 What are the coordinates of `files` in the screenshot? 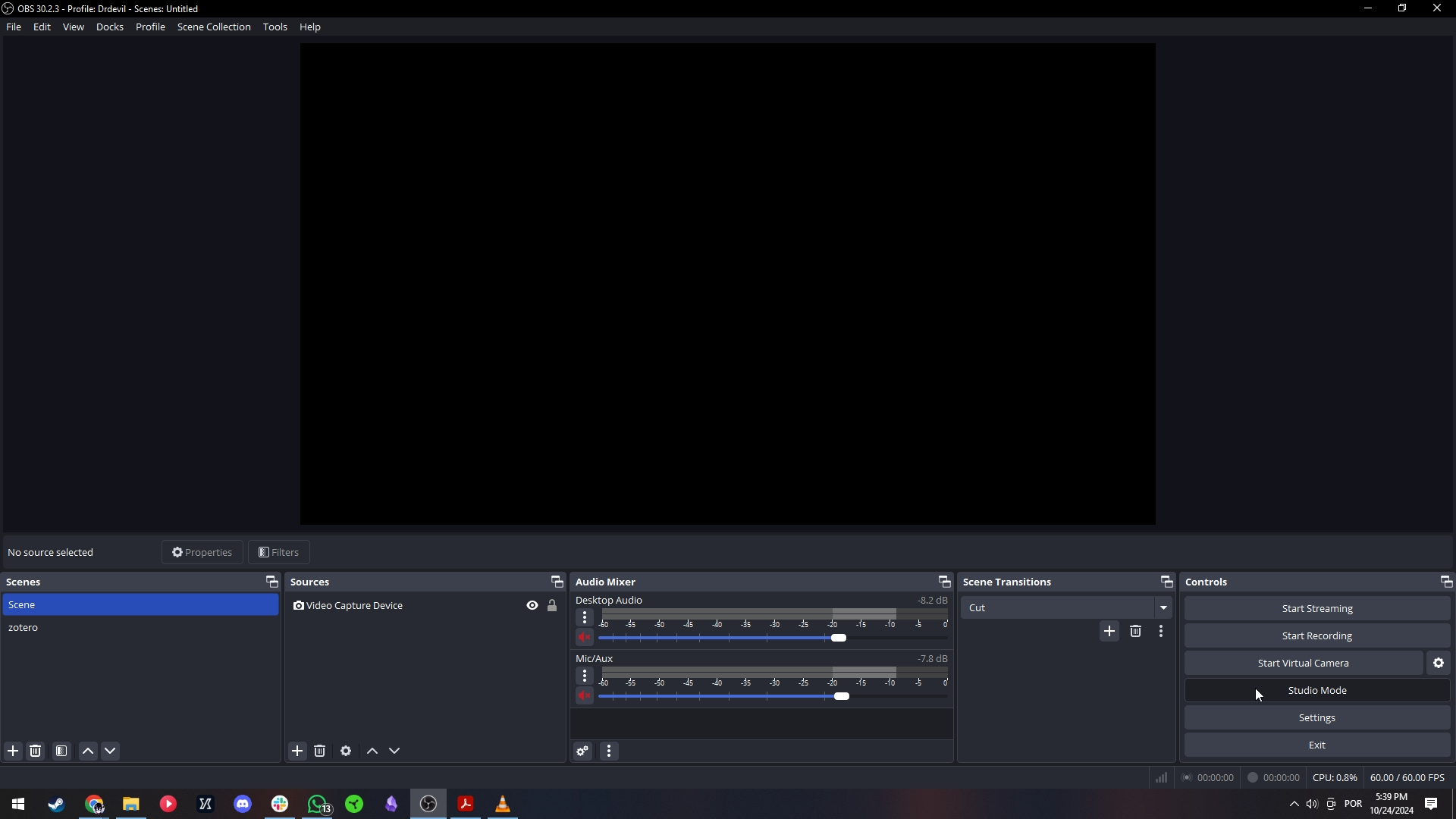 It's located at (130, 805).